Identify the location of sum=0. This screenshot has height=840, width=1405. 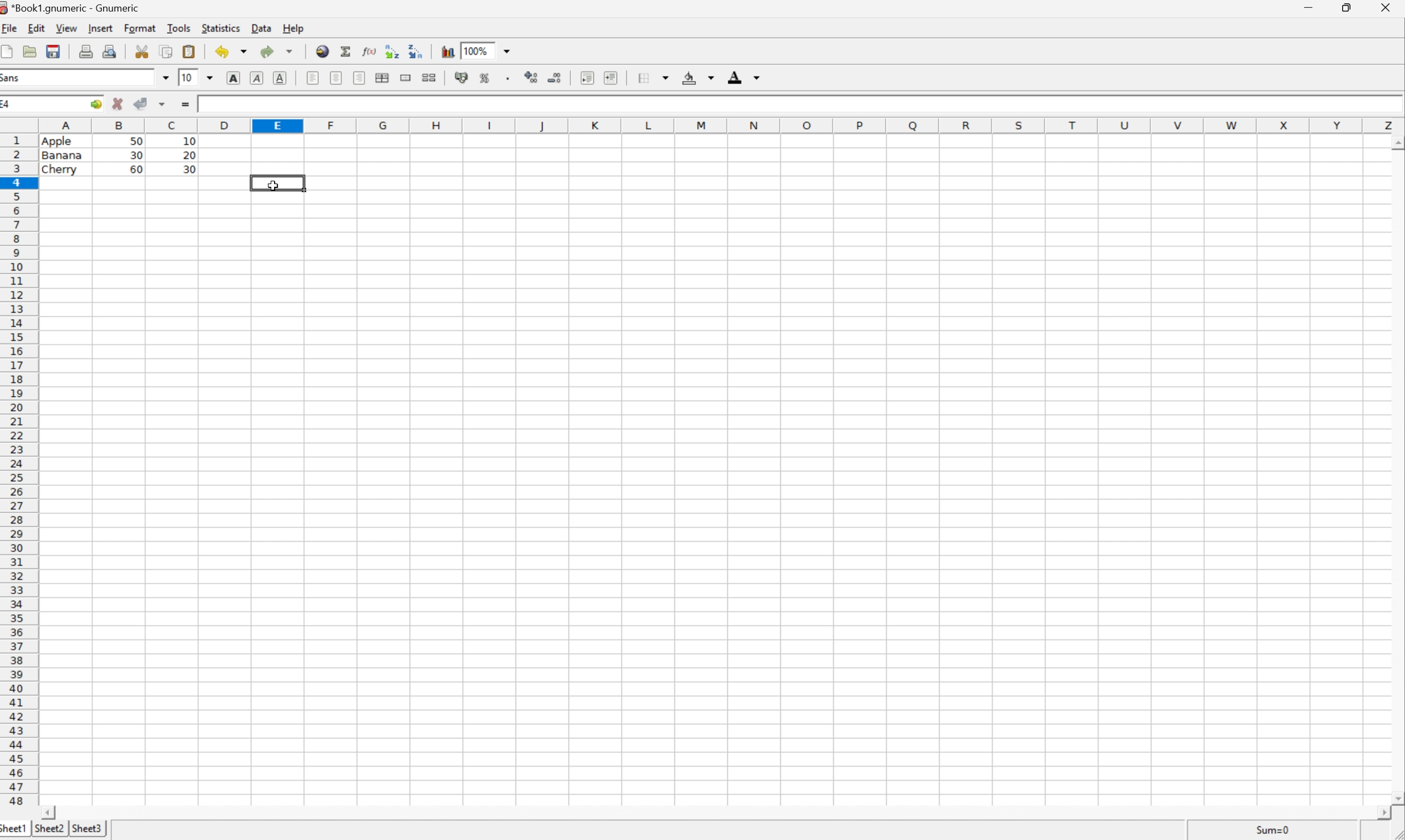
(1272, 829).